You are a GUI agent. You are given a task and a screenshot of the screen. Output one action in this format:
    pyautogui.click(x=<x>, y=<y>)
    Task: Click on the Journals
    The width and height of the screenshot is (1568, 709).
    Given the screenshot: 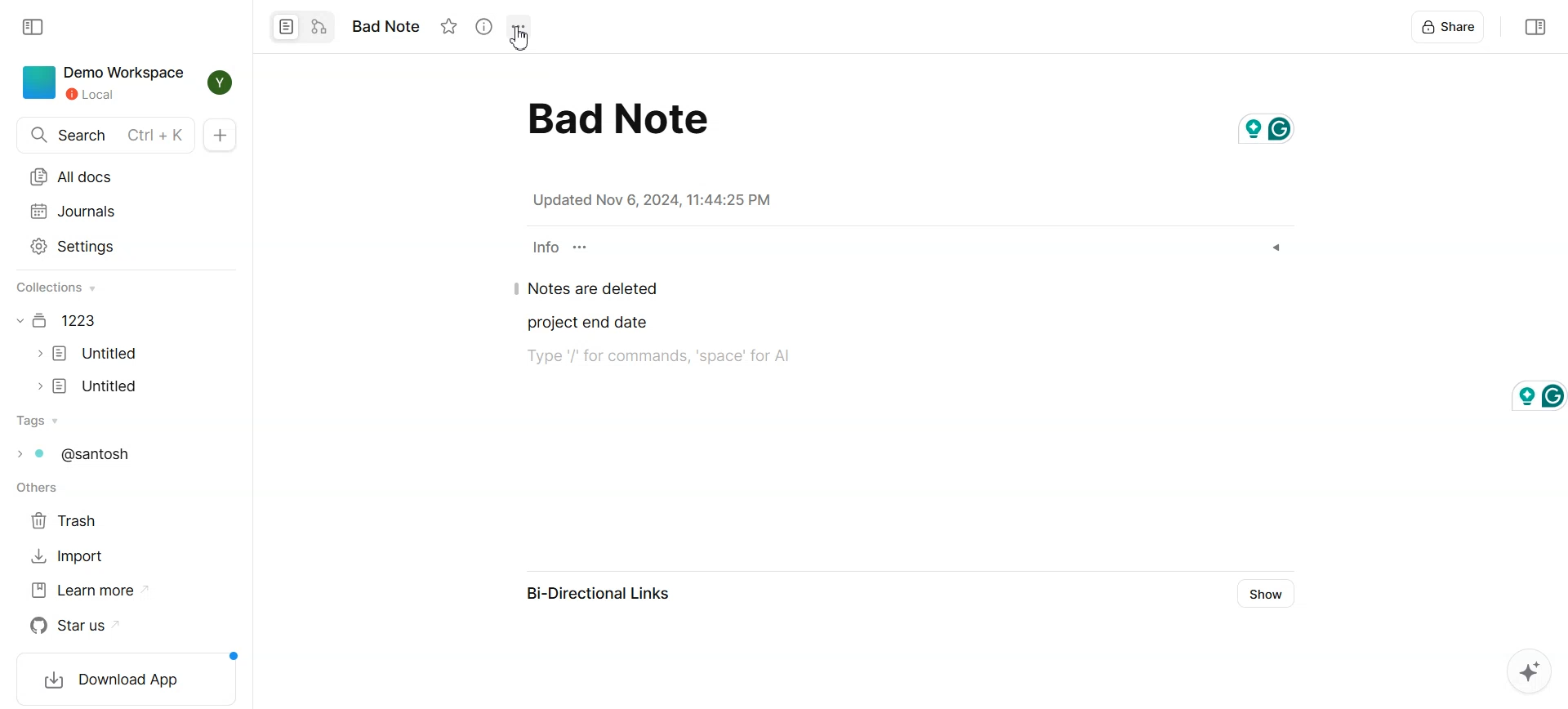 What is the action you would take?
    pyautogui.click(x=105, y=210)
    